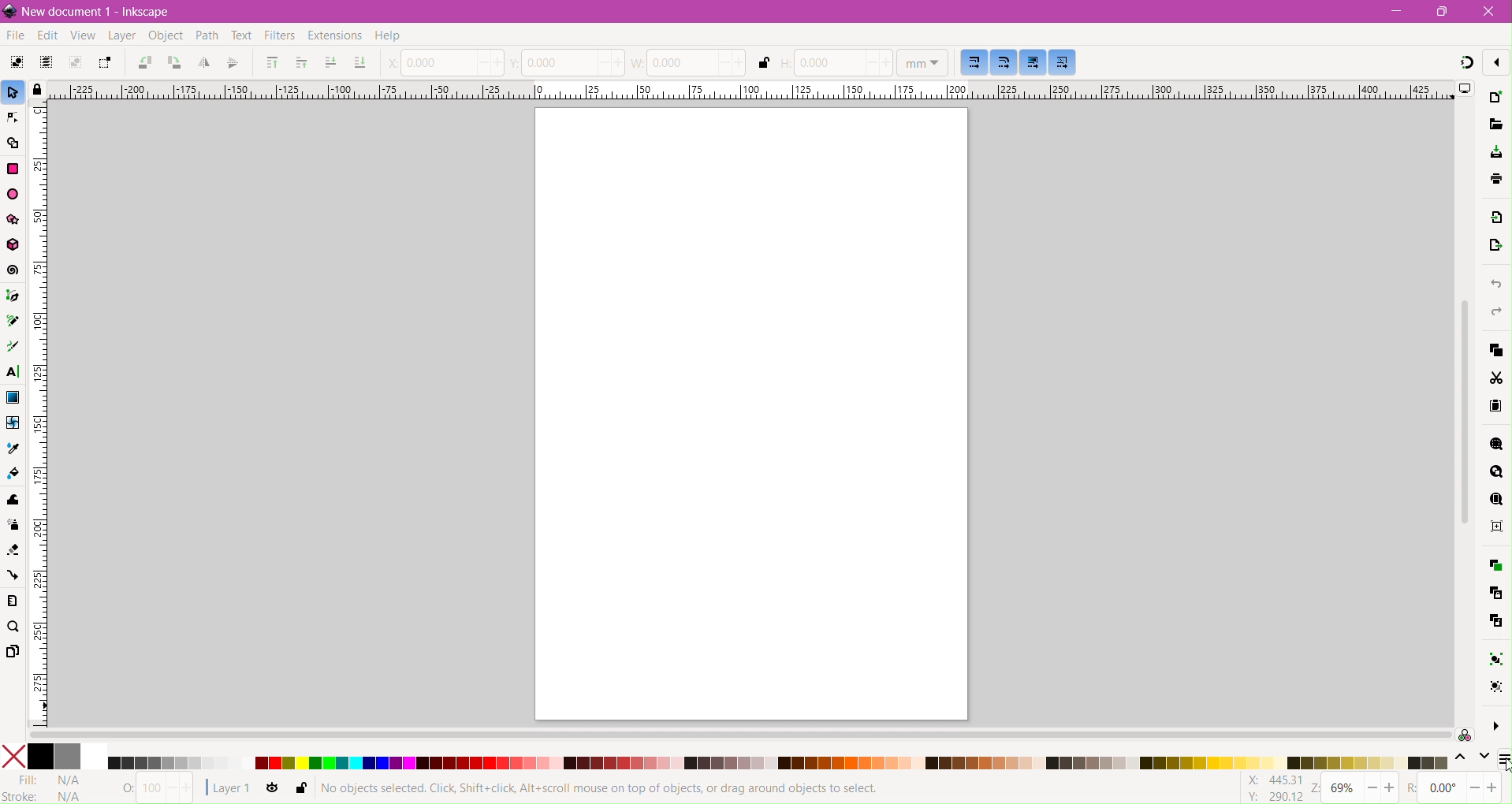 Image resolution: width=1512 pixels, height=804 pixels. What do you see at coordinates (747, 90) in the screenshot?
I see `Horizontal Ruler` at bounding box center [747, 90].